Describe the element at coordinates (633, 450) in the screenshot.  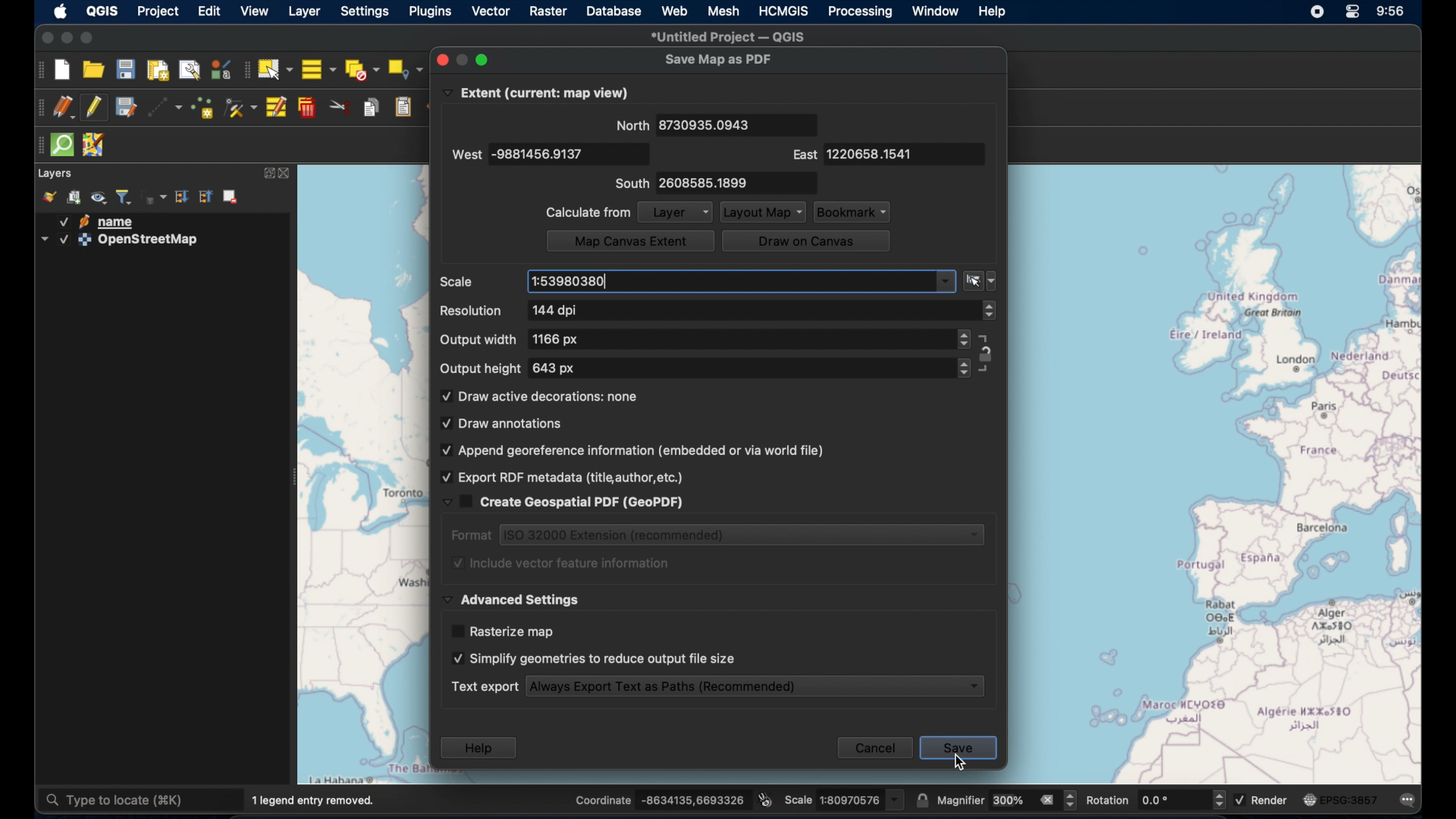
I see `append georeference information (embedded or via world file)` at that location.